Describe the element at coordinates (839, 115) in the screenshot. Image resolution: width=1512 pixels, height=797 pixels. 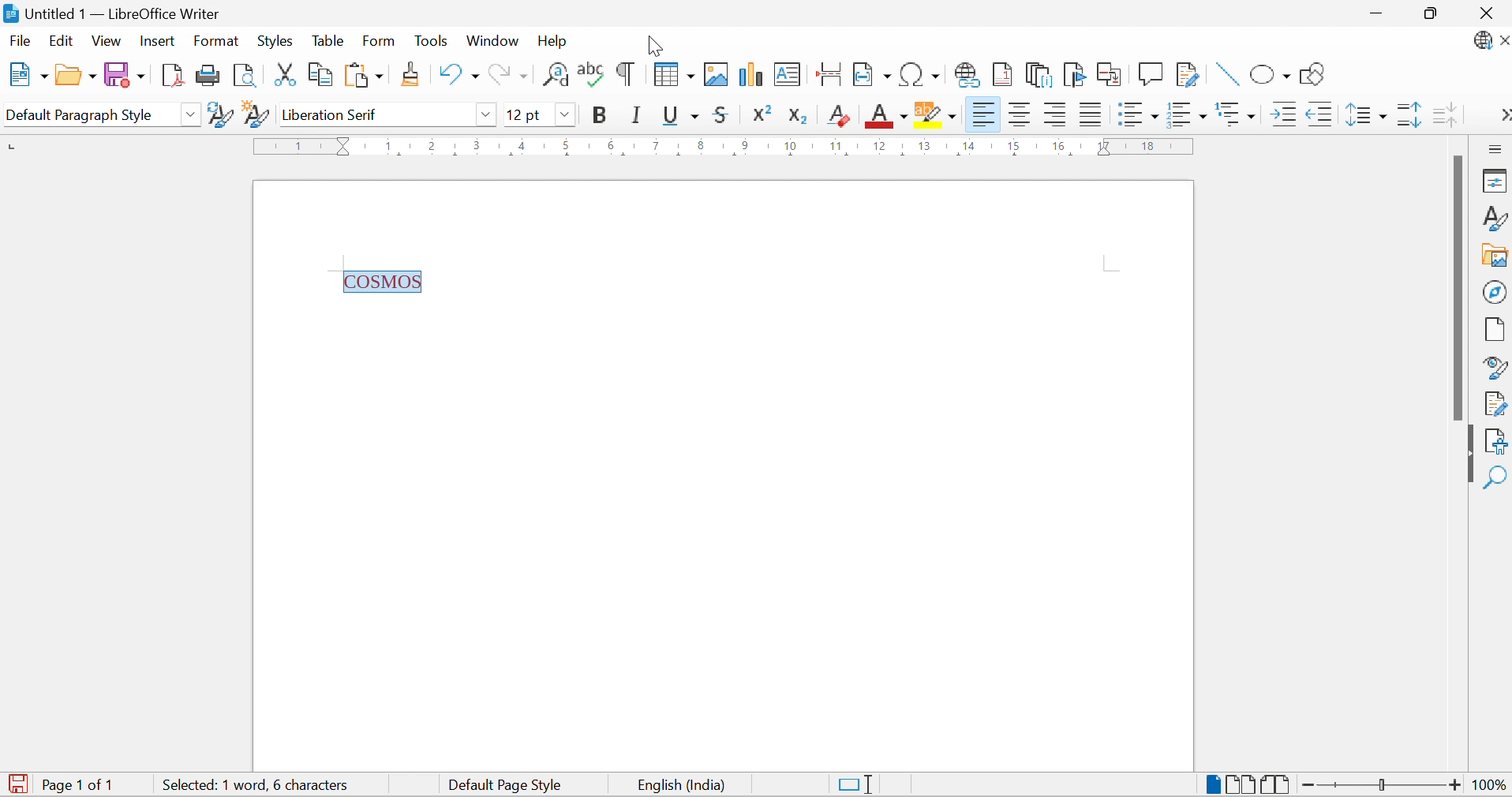
I see `Clear Direct Formatting` at that location.